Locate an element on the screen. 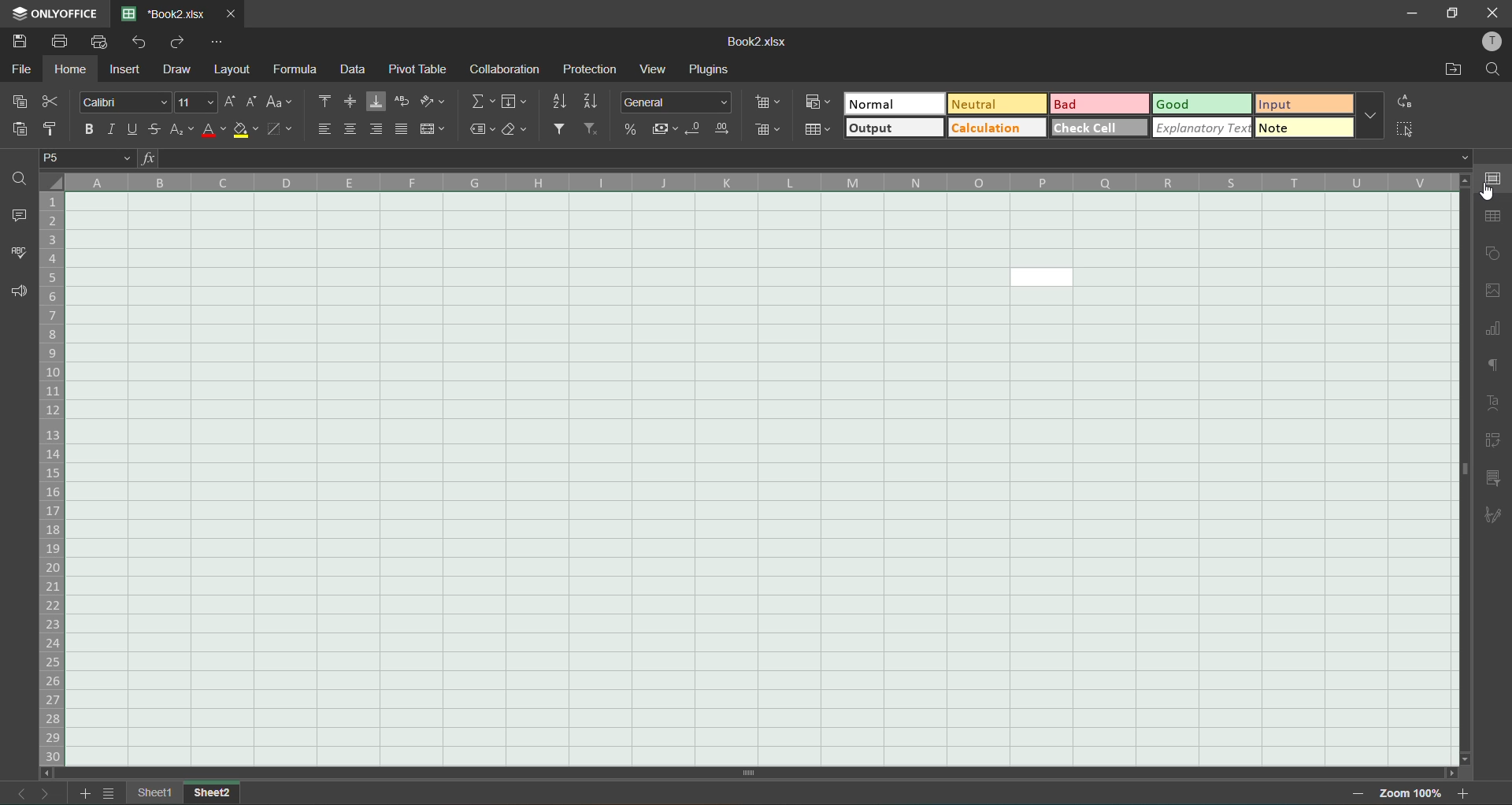 This screenshot has height=805, width=1512. file is located at coordinates (19, 71).